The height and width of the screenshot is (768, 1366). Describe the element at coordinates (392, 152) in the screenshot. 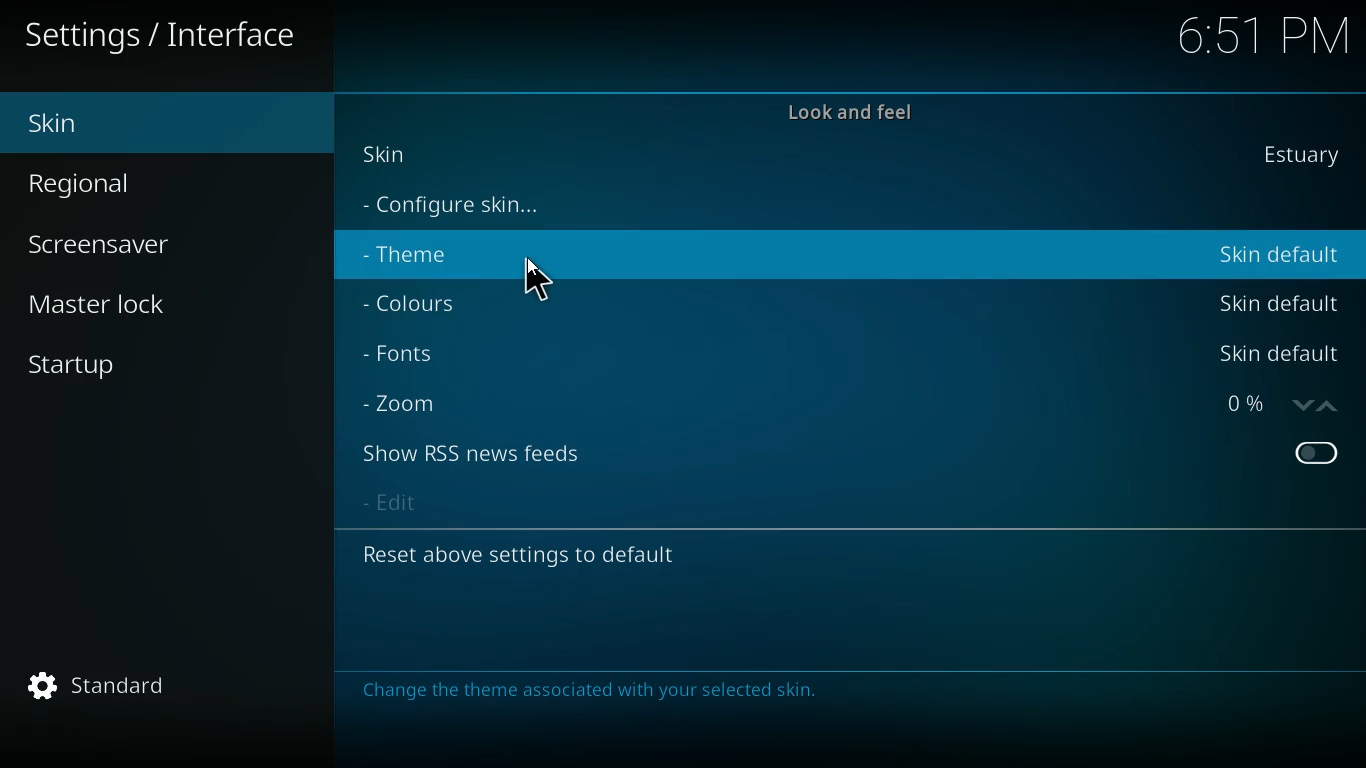

I see `skin` at that location.